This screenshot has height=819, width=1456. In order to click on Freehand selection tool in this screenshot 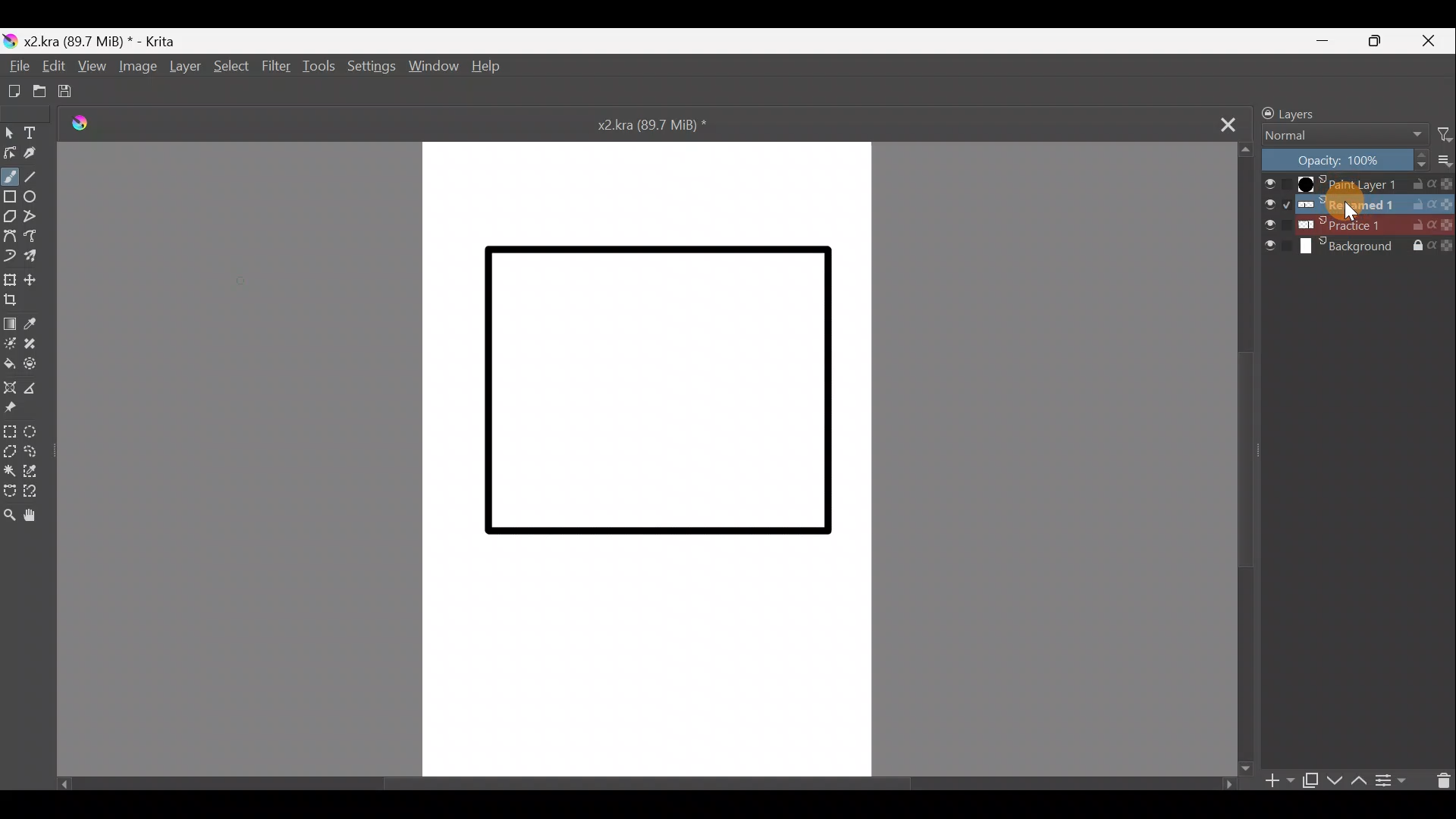, I will do `click(36, 450)`.